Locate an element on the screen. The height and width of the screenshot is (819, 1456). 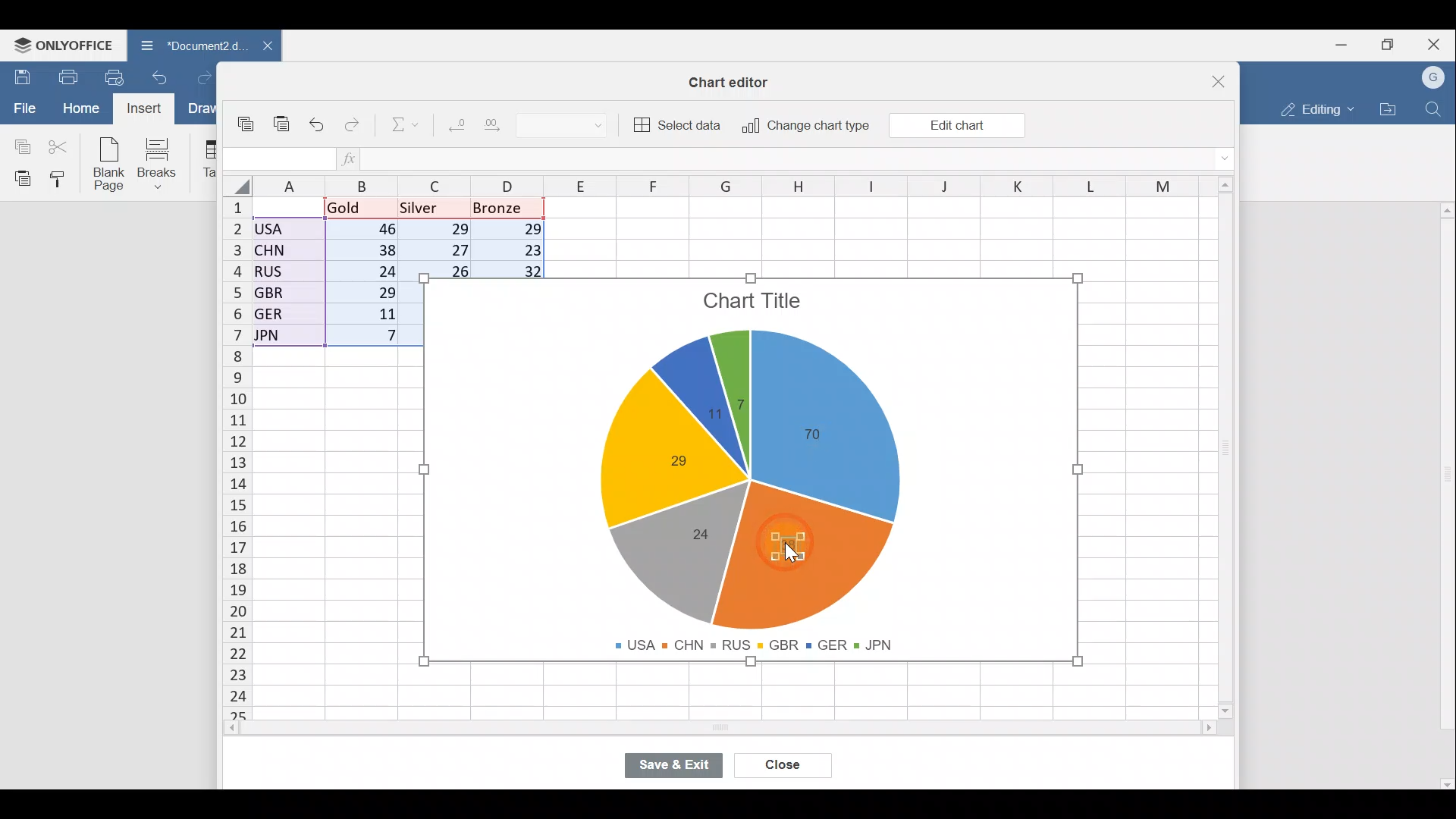
ONLYOFFICE Menu is located at coordinates (61, 45).